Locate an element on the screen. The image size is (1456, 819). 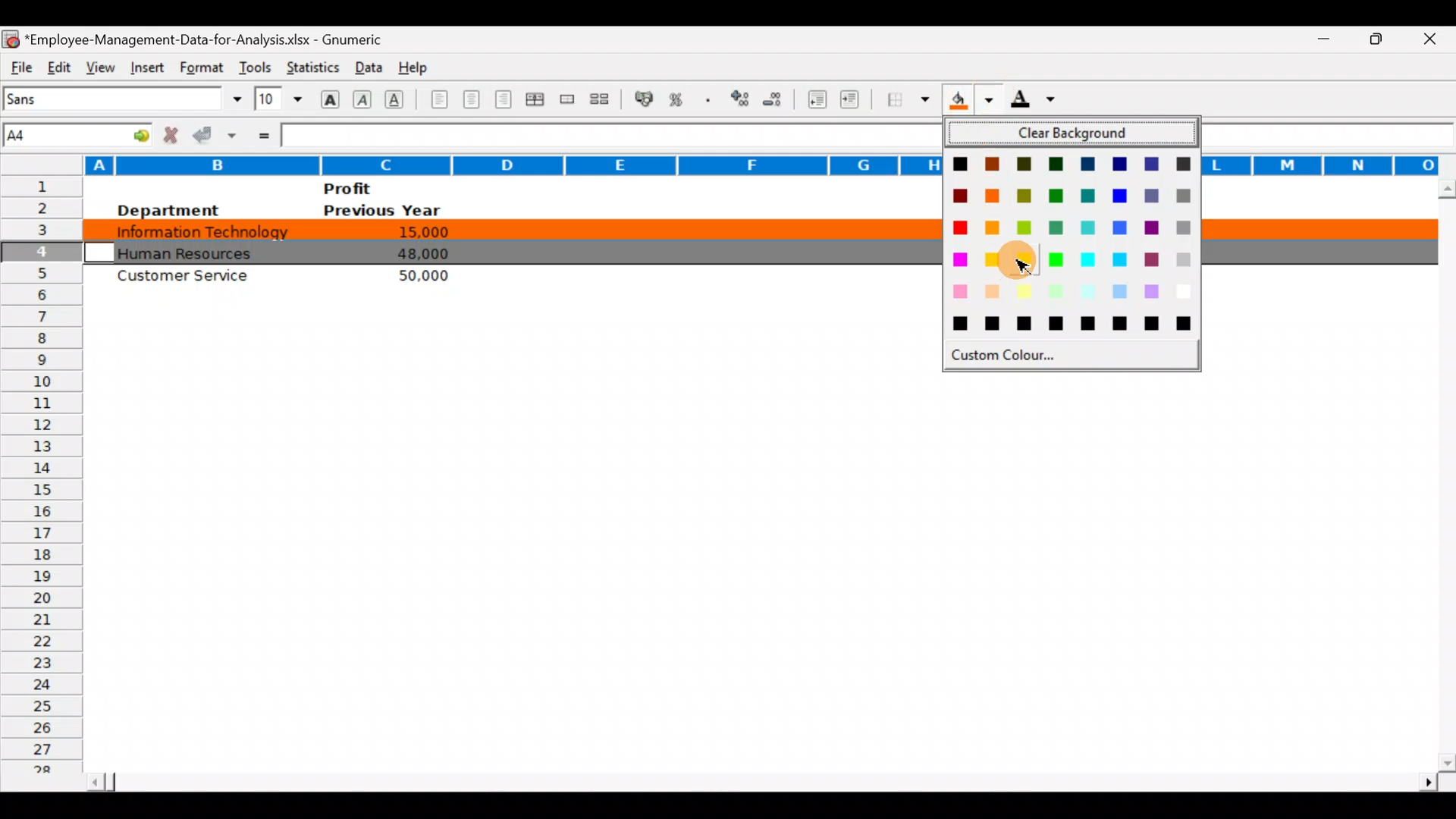
Underline is located at coordinates (399, 99).